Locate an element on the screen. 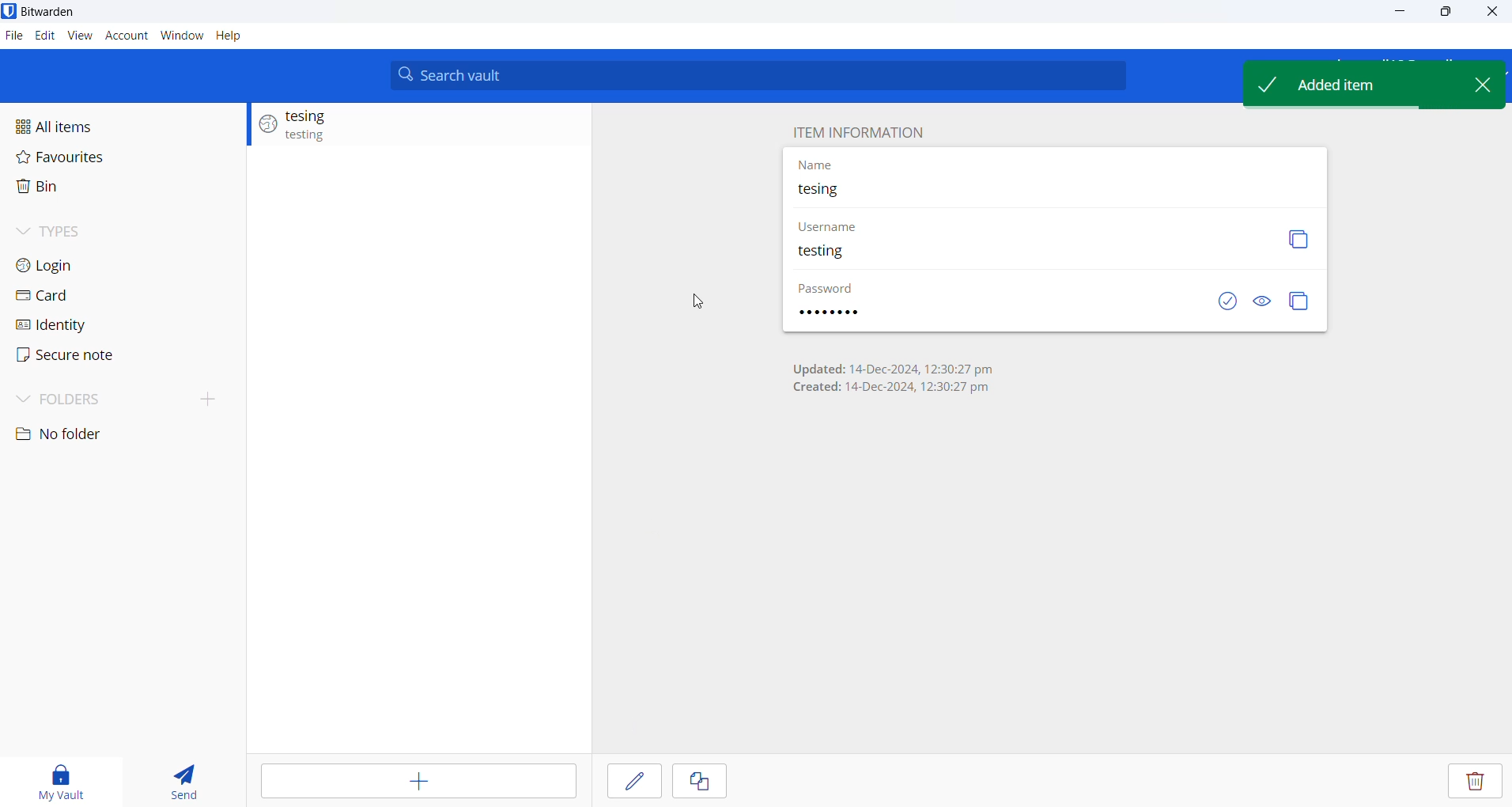 The height and width of the screenshot is (807, 1512). NAME  is located at coordinates (825, 165).